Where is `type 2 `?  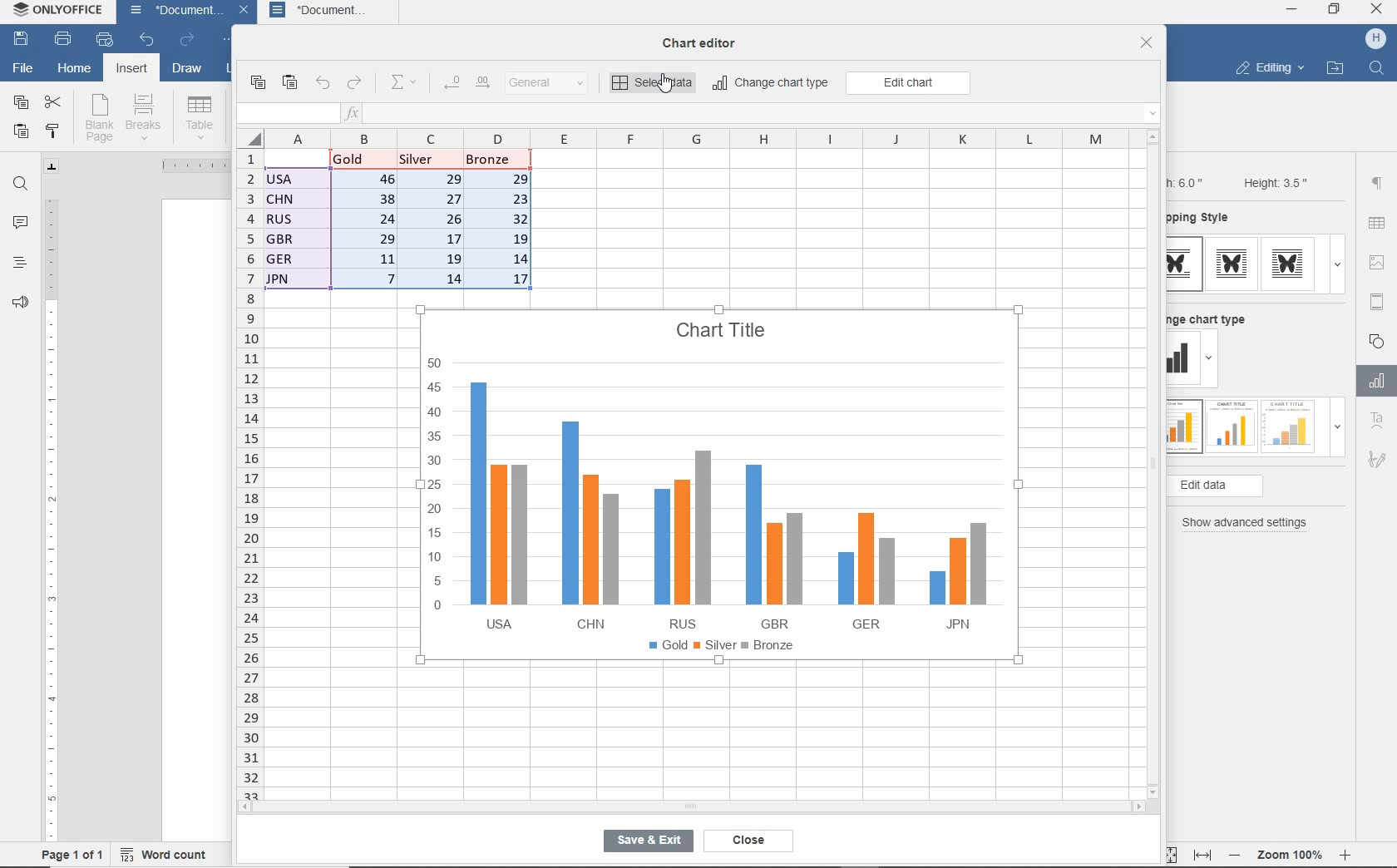 type 2  is located at coordinates (1229, 425).